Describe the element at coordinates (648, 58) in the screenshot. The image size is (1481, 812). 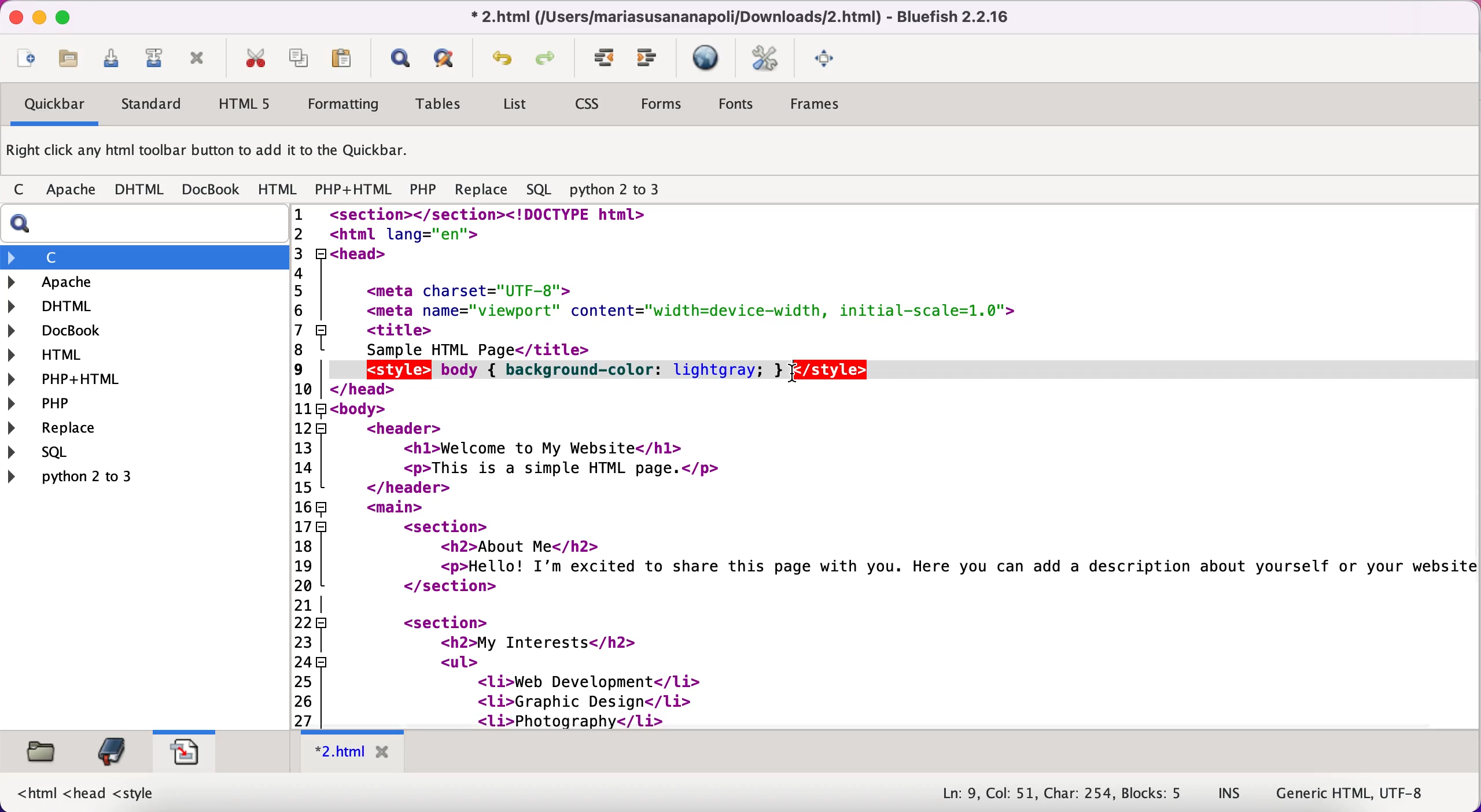
I see `unindent` at that location.